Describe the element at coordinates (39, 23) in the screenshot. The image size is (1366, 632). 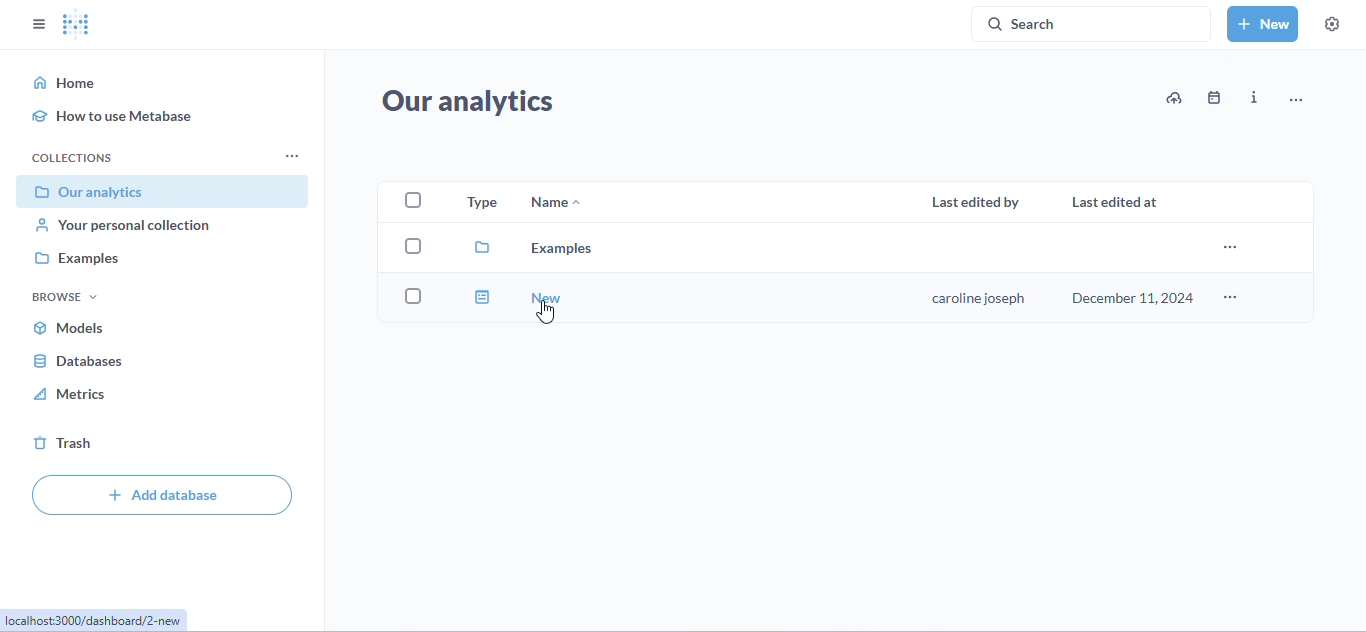
I see `close sidebar` at that location.